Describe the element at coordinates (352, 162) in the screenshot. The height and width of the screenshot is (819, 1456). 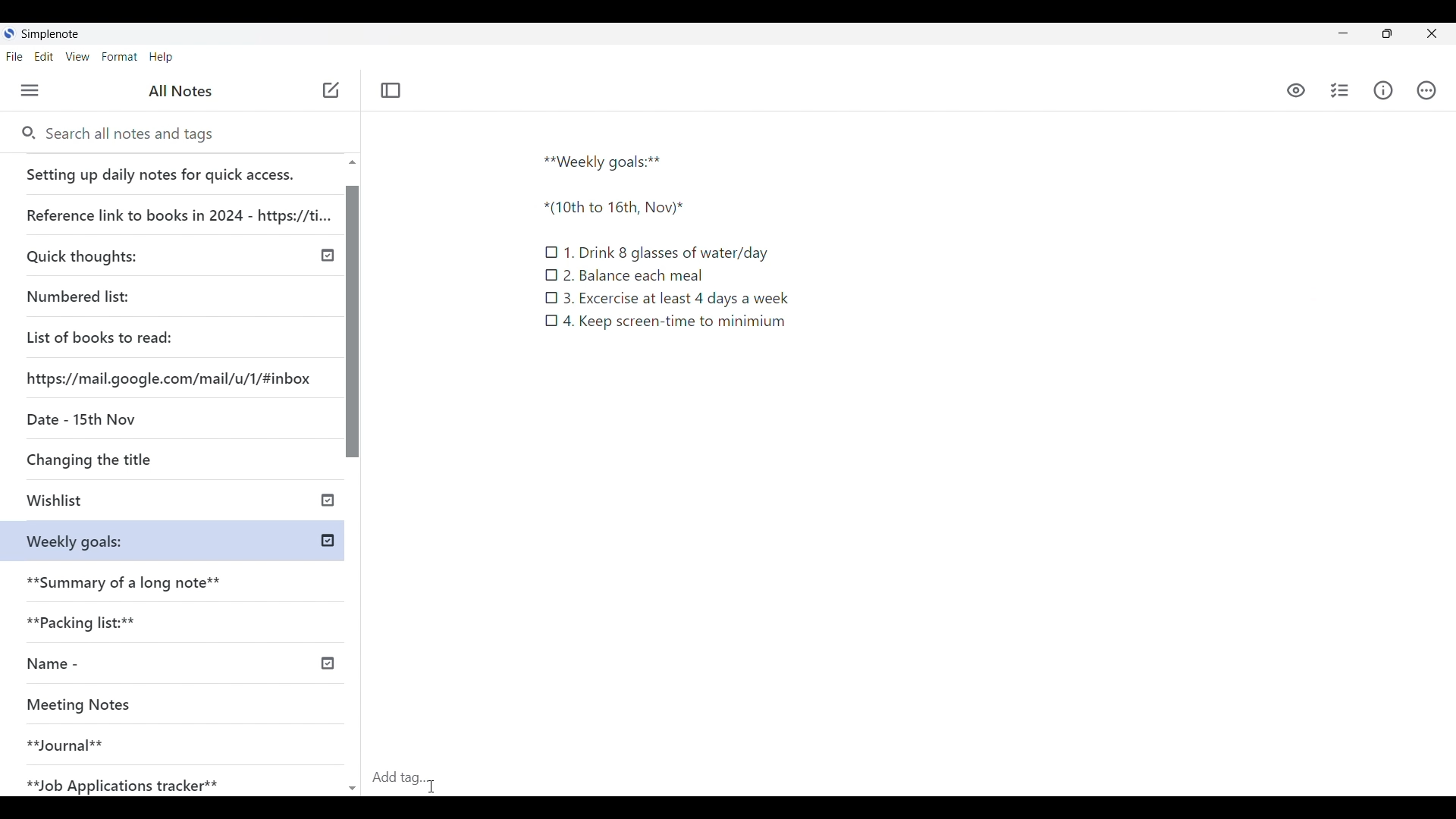
I see `Quick slide to top` at that location.